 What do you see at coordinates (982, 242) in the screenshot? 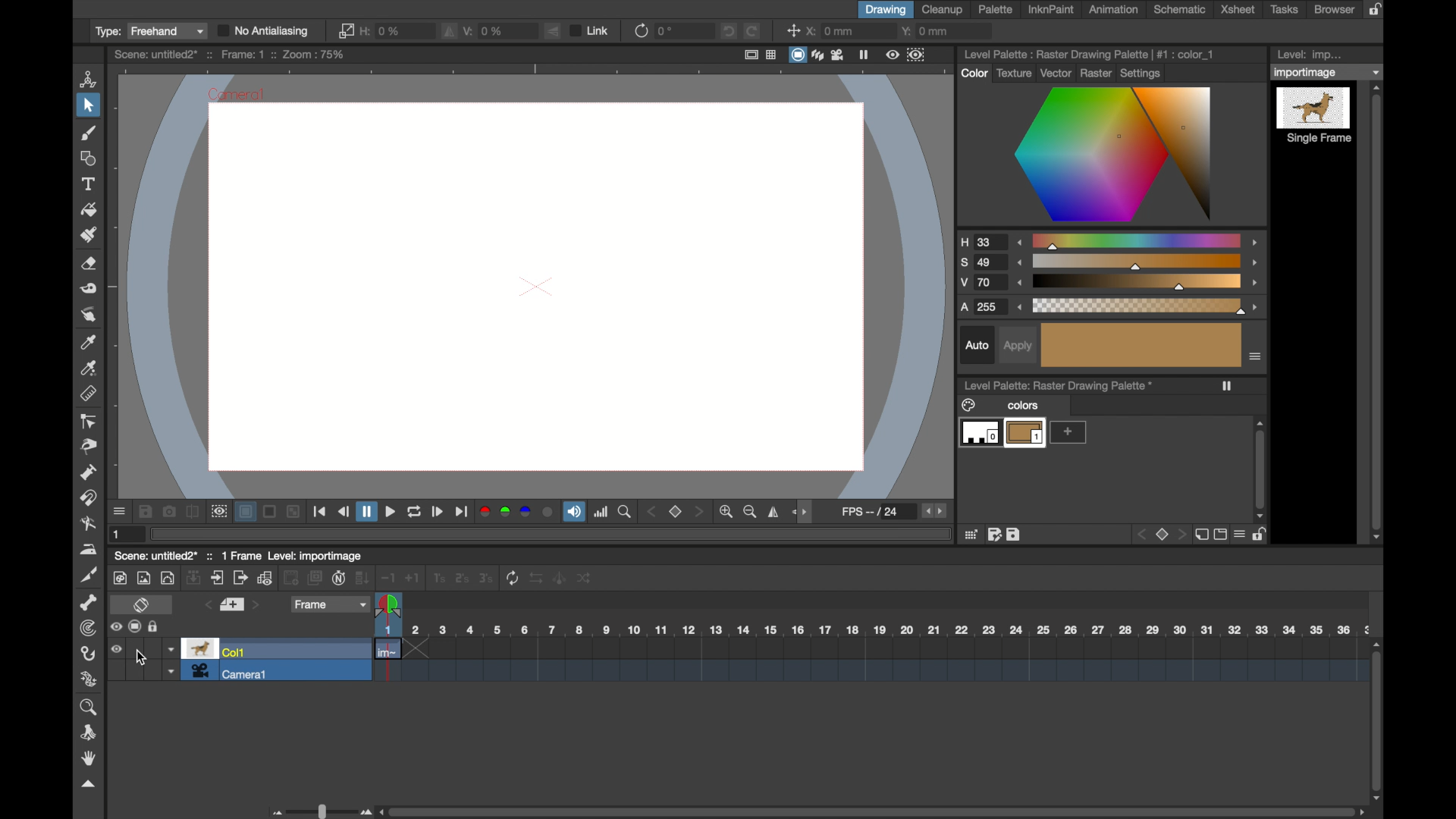
I see `H` at bounding box center [982, 242].